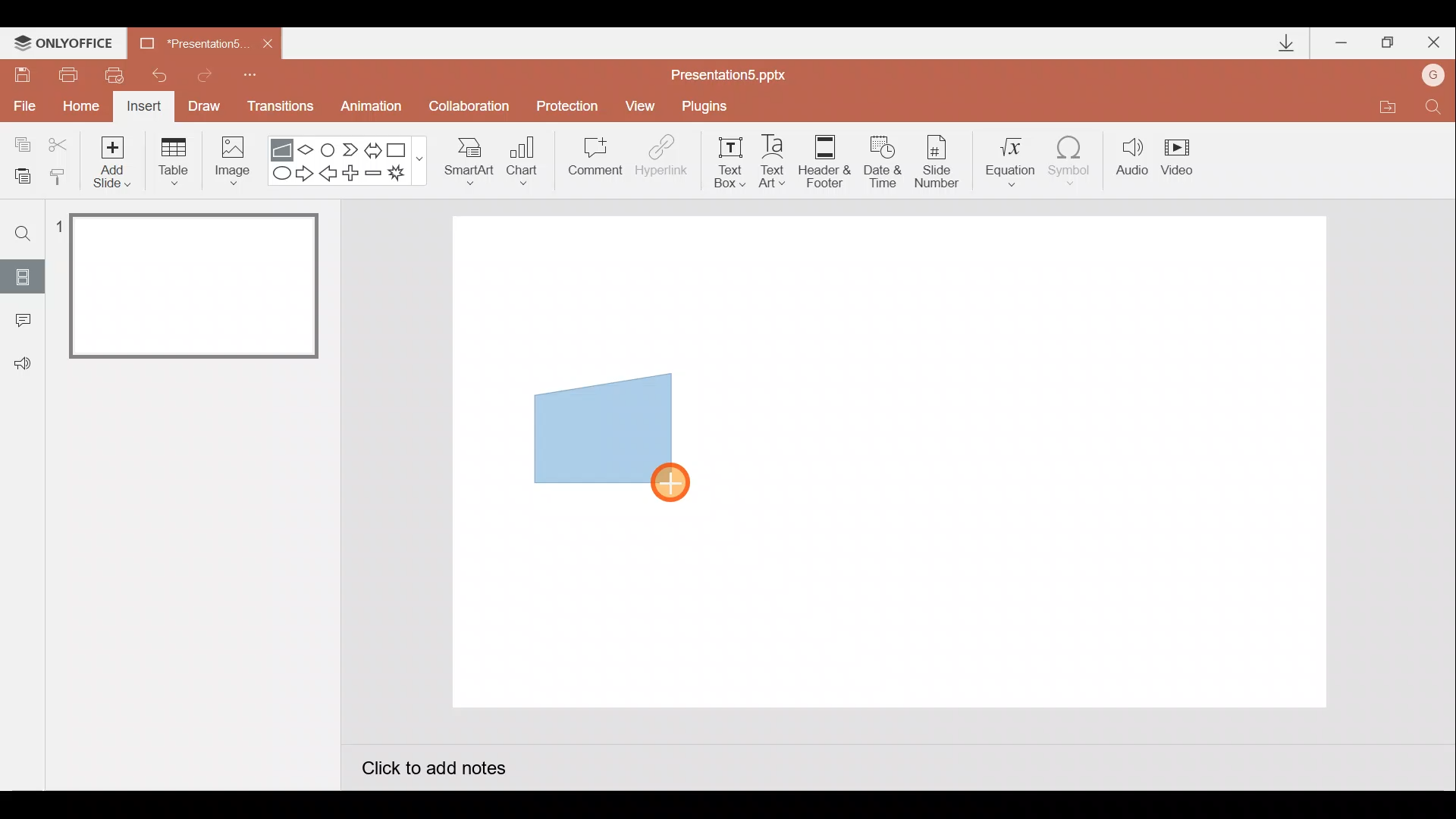 Image resolution: width=1456 pixels, height=819 pixels. What do you see at coordinates (600, 426) in the screenshot?
I see `Manual input flow chart ` at bounding box center [600, 426].